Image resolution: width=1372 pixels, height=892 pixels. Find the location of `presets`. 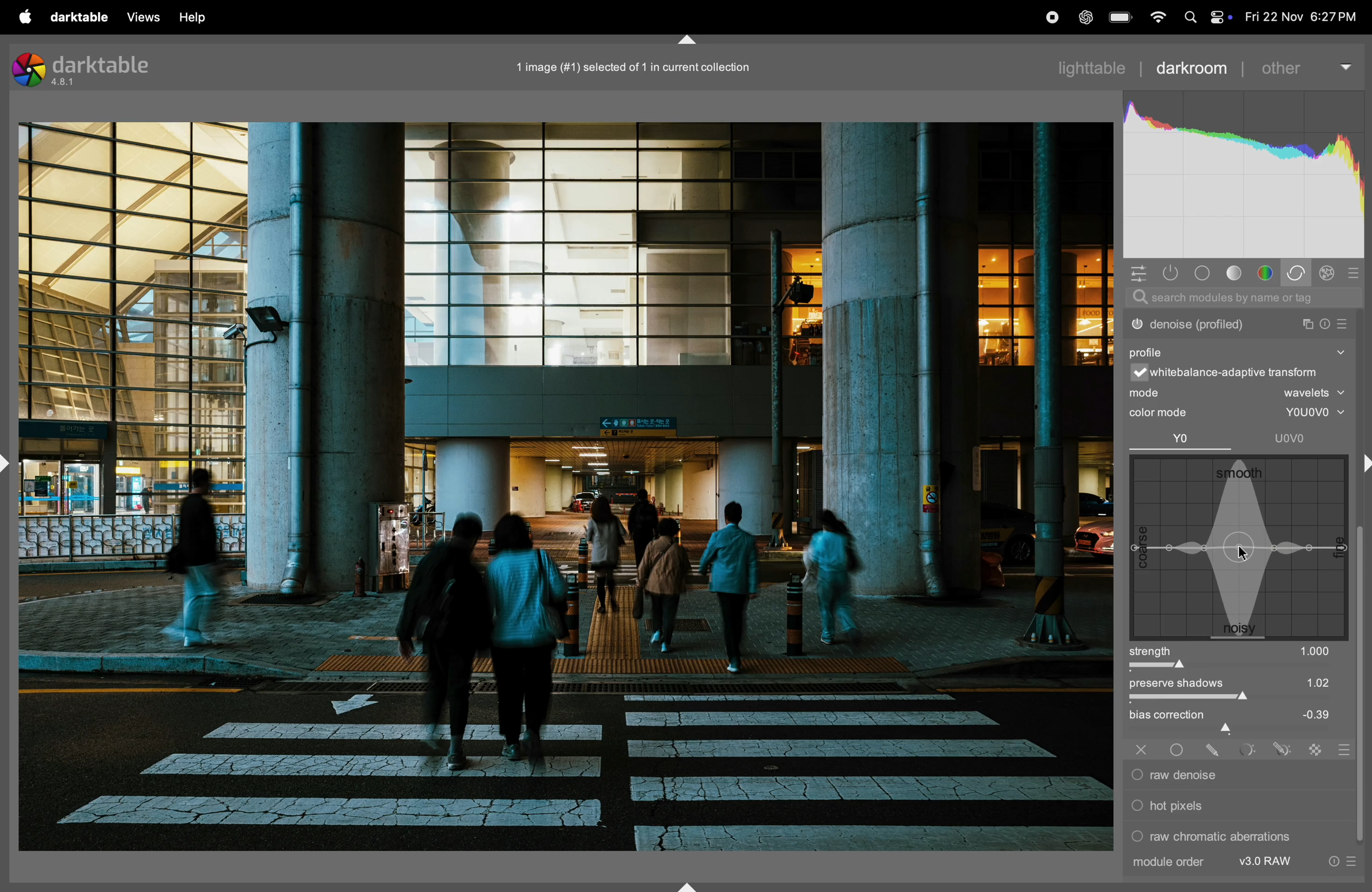

presets is located at coordinates (1356, 861).